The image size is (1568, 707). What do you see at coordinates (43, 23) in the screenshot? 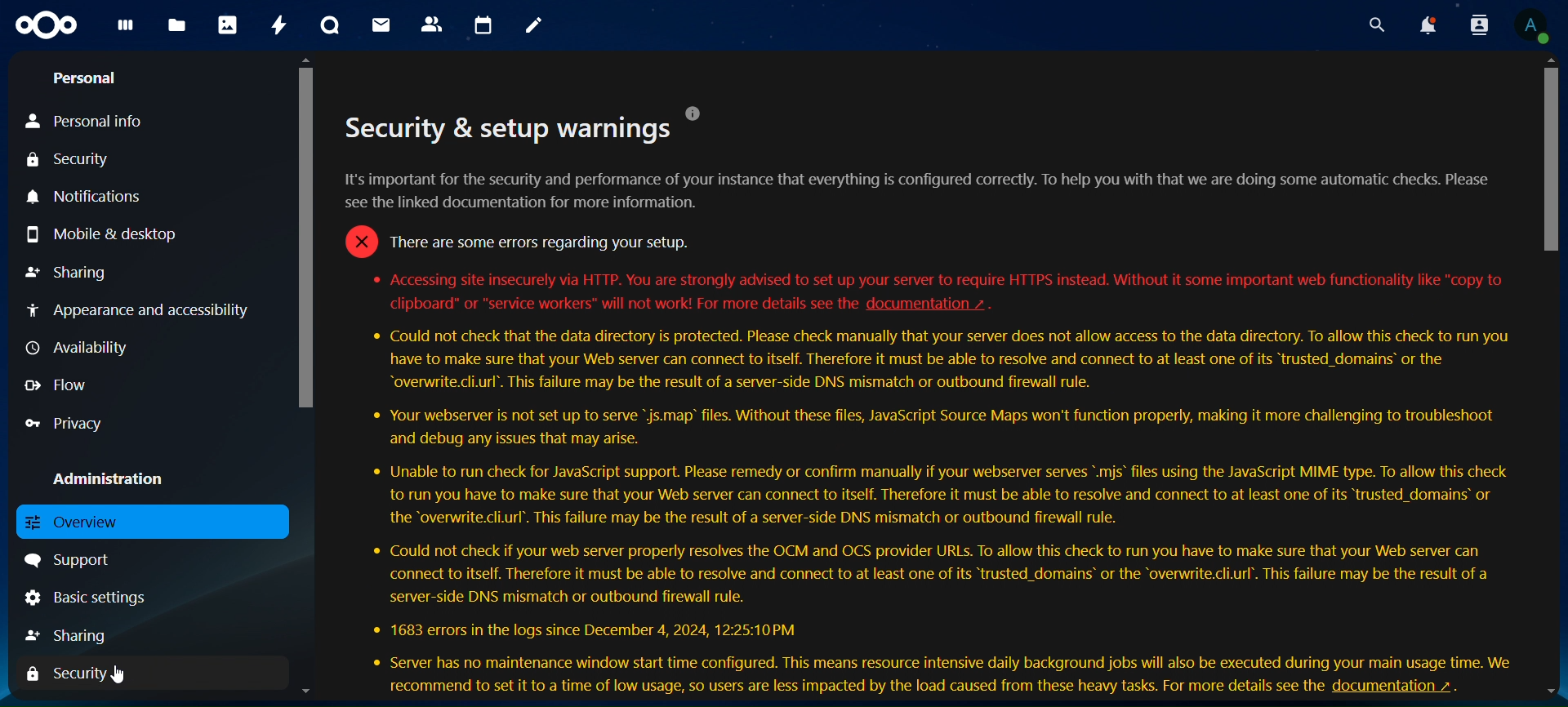
I see `icon` at bounding box center [43, 23].